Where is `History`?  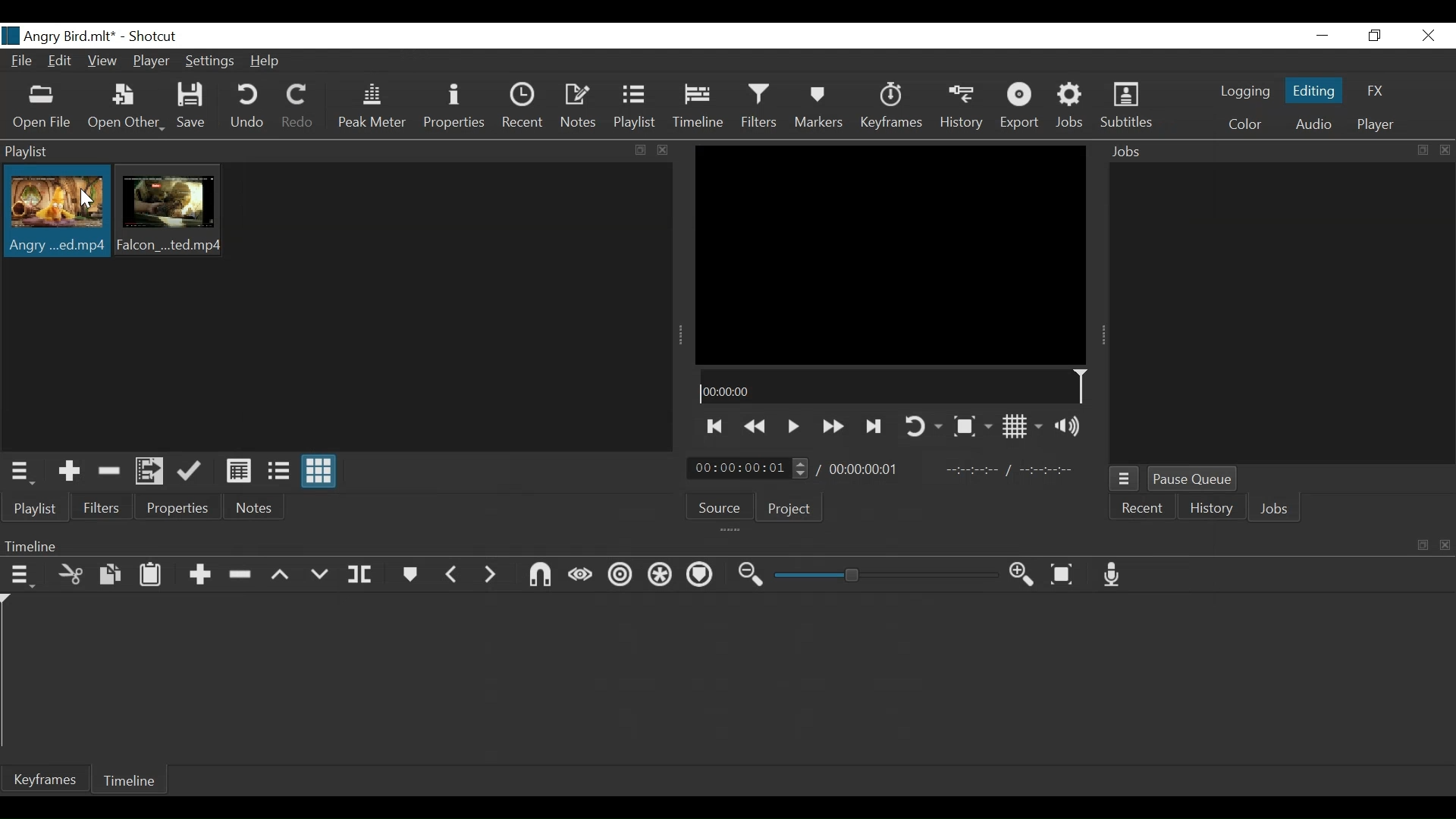
History is located at coordinates (1208, 510).